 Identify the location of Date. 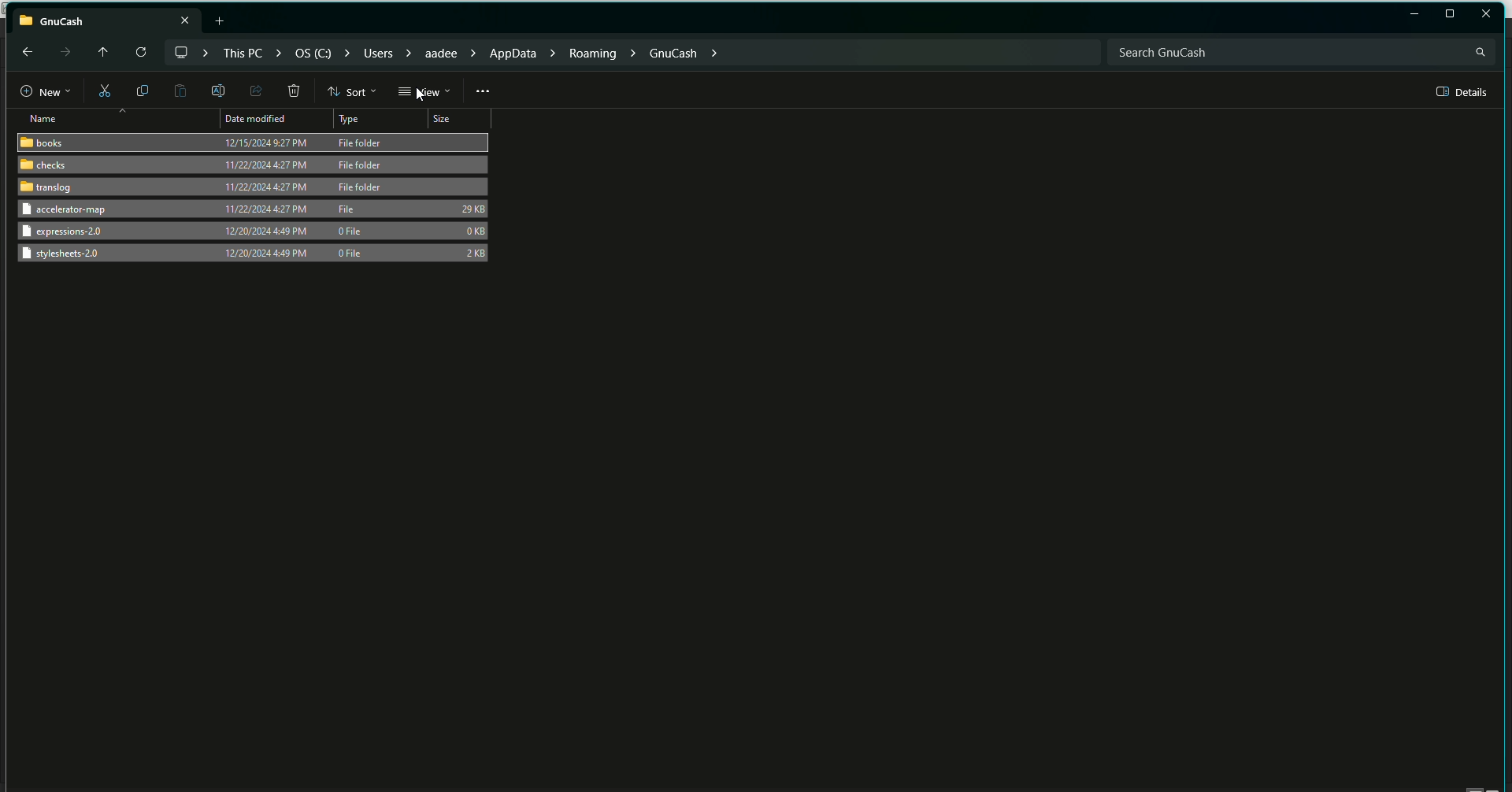
(263, 154).